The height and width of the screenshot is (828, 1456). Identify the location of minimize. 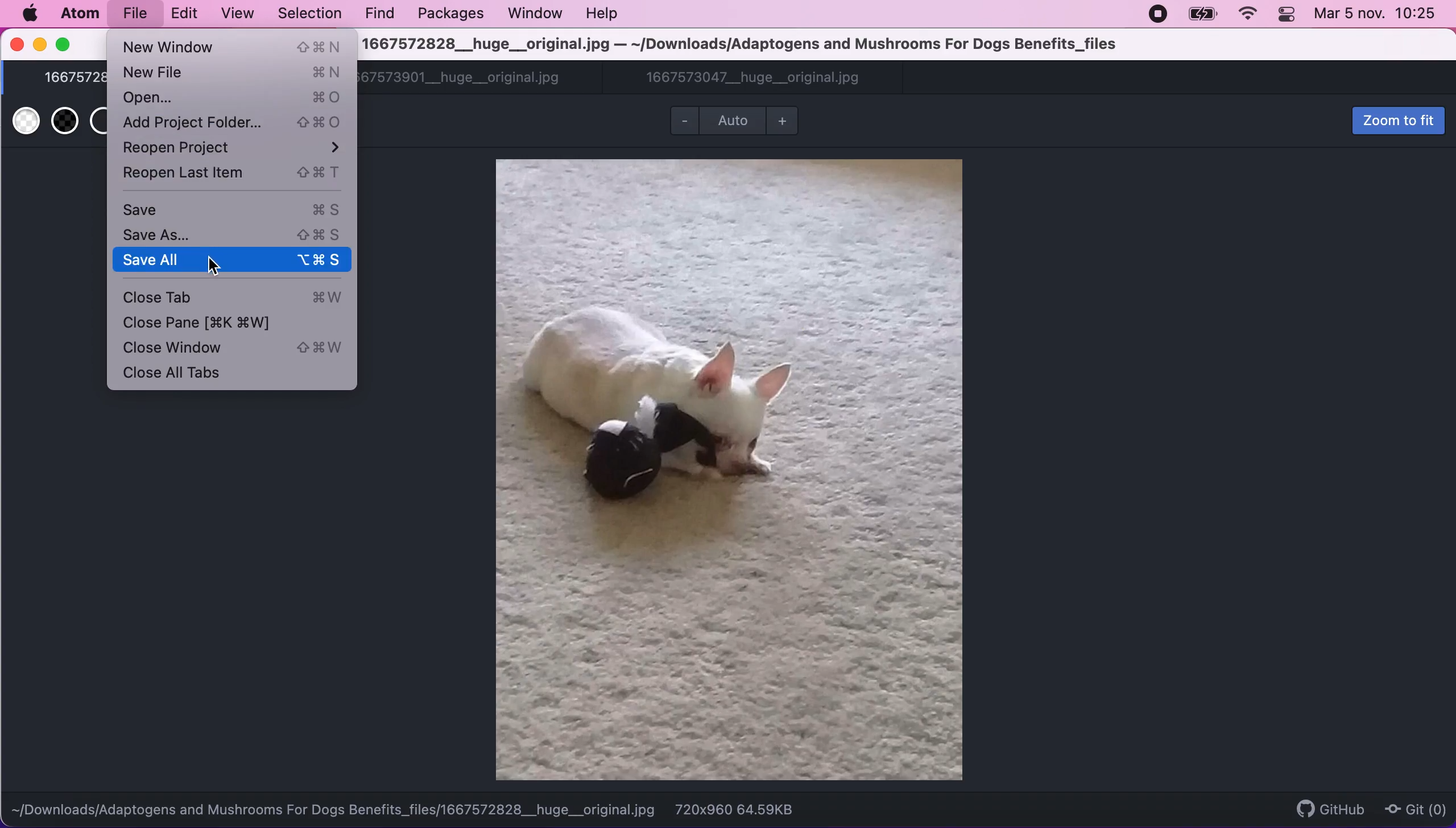
(40, 45).